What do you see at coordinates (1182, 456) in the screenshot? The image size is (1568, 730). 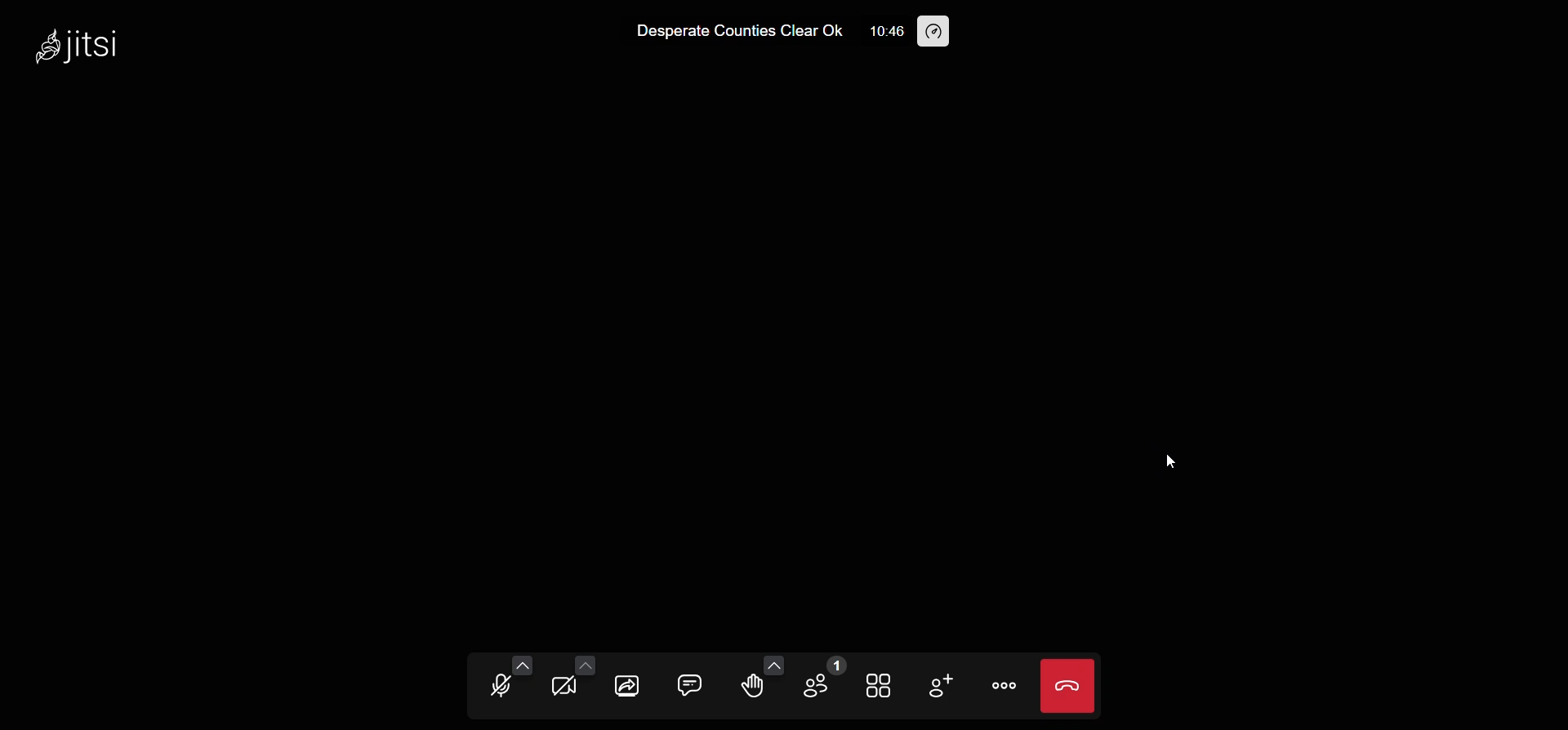 I see `cursor` at bounding box center [1182, 456].